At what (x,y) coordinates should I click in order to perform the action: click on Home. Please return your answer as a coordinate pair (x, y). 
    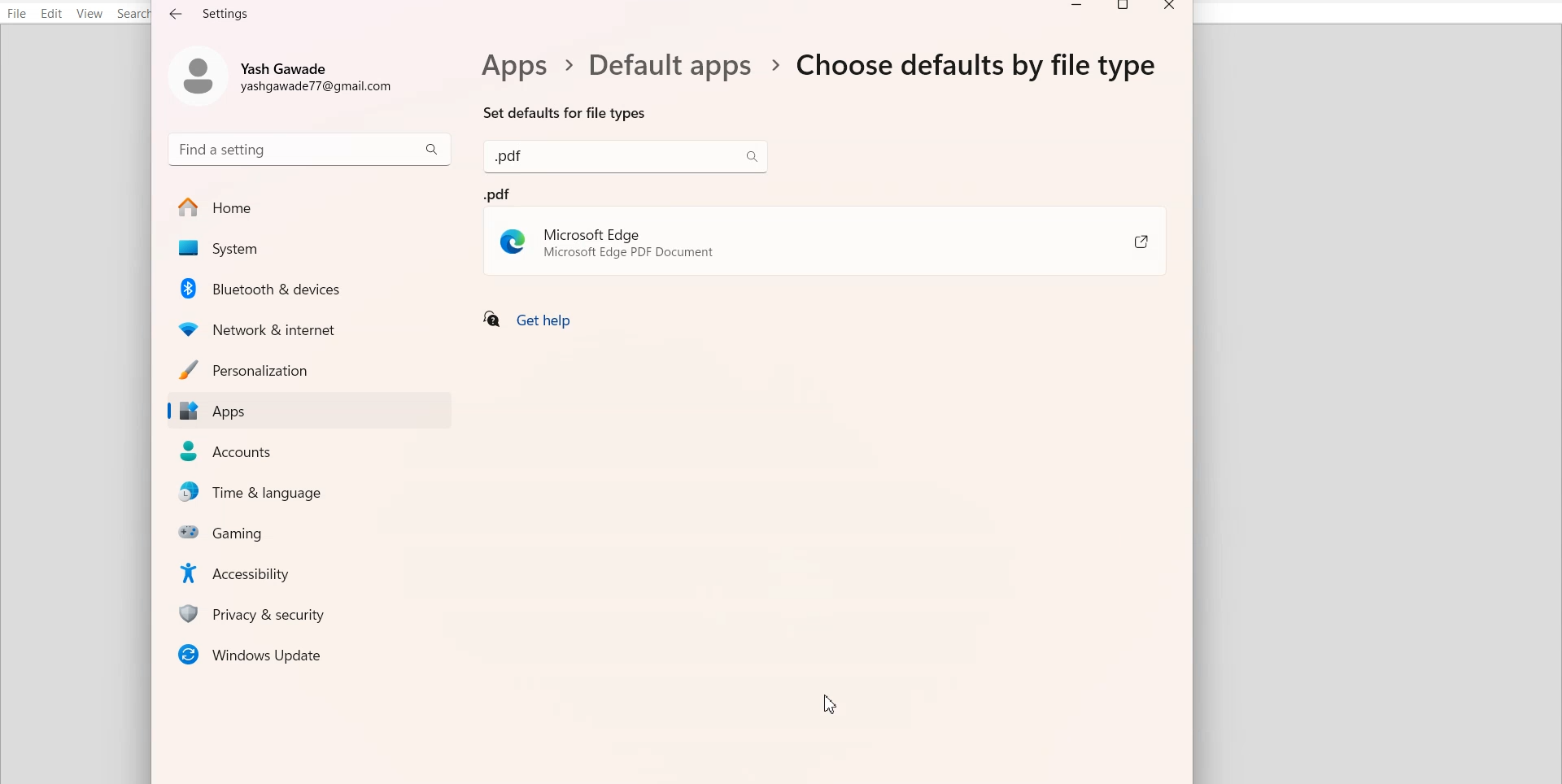
    Looking at the image, I should click on (309, 207).